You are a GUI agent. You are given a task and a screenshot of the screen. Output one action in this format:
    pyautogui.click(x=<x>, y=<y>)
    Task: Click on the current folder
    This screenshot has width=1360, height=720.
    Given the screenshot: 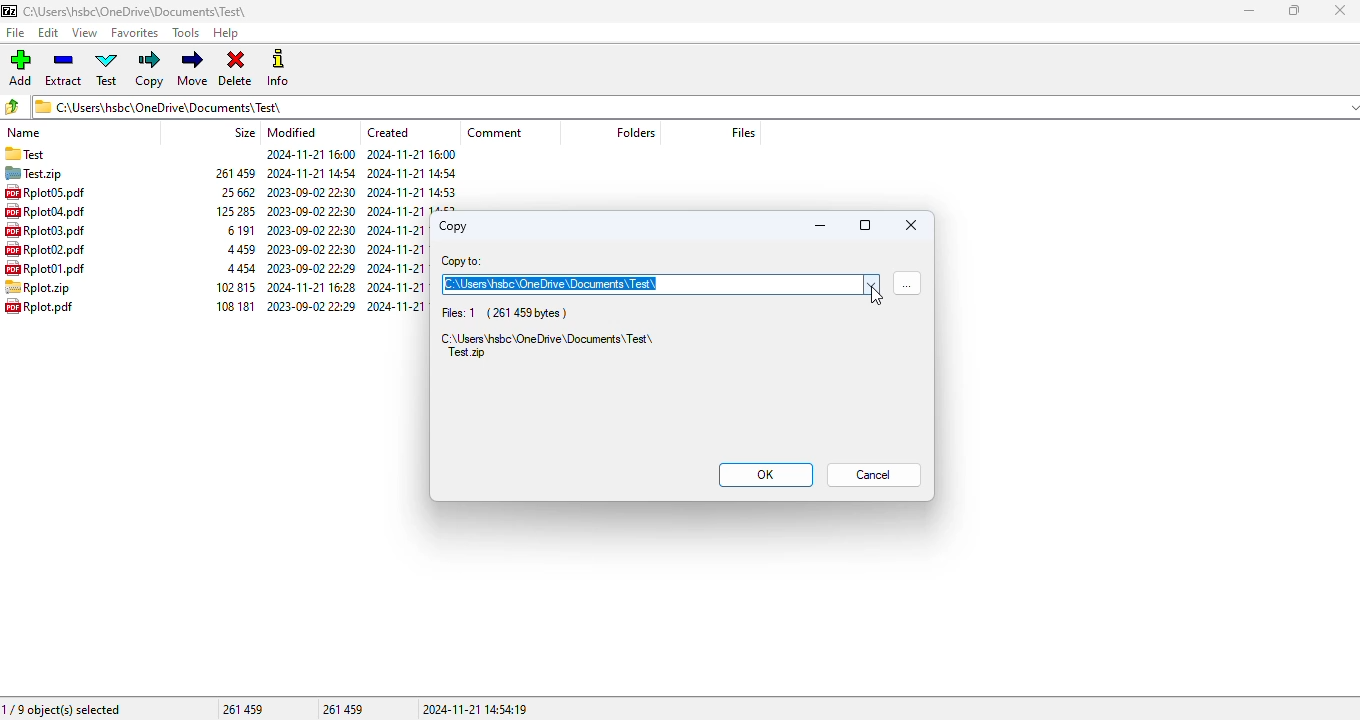 What is the action you would take?
    pyautogui.click(x=694, y=107)
    